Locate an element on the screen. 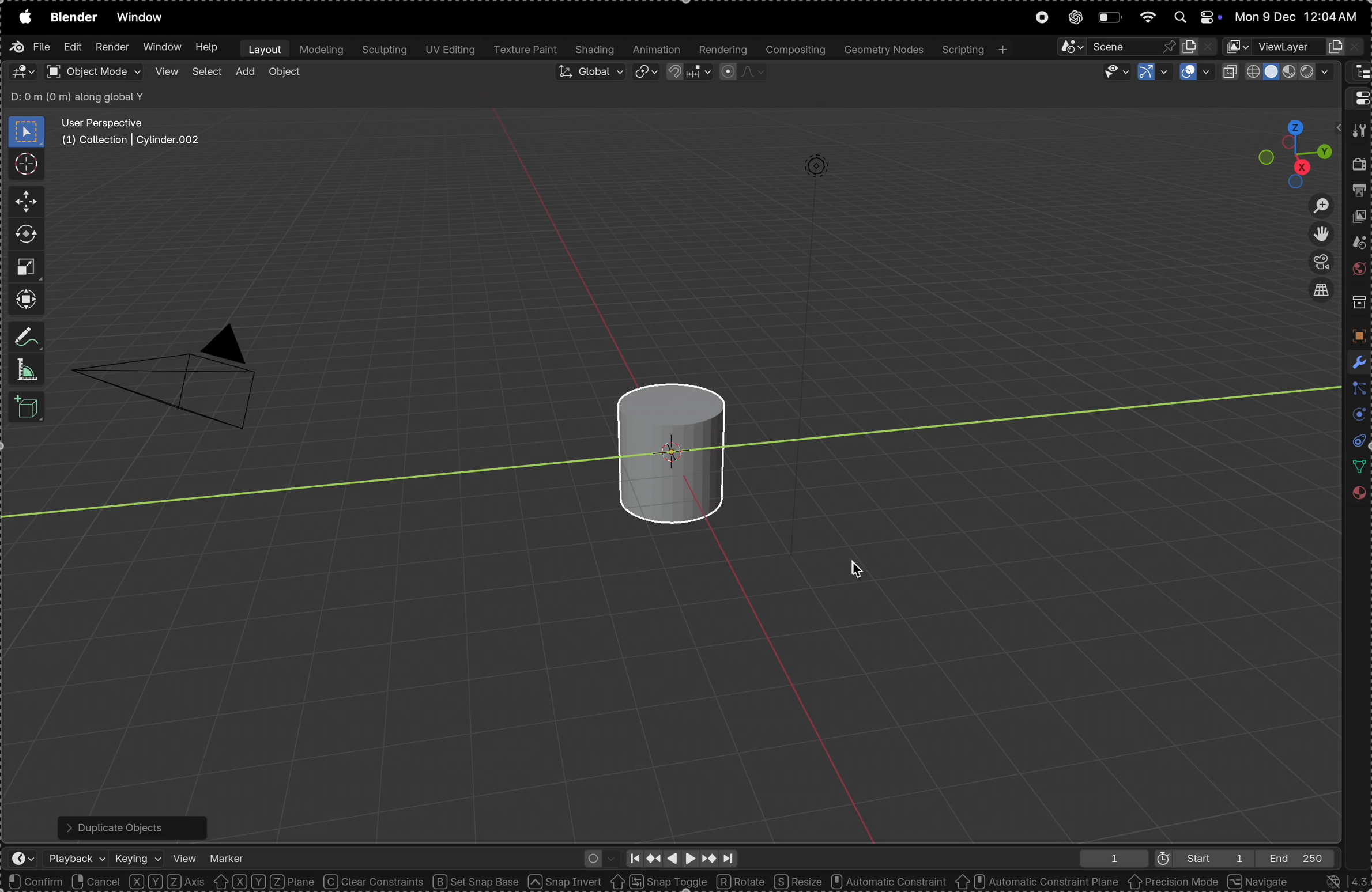 This screenshot has height=892, width=1372. Window is located at coordinates (144, 18).